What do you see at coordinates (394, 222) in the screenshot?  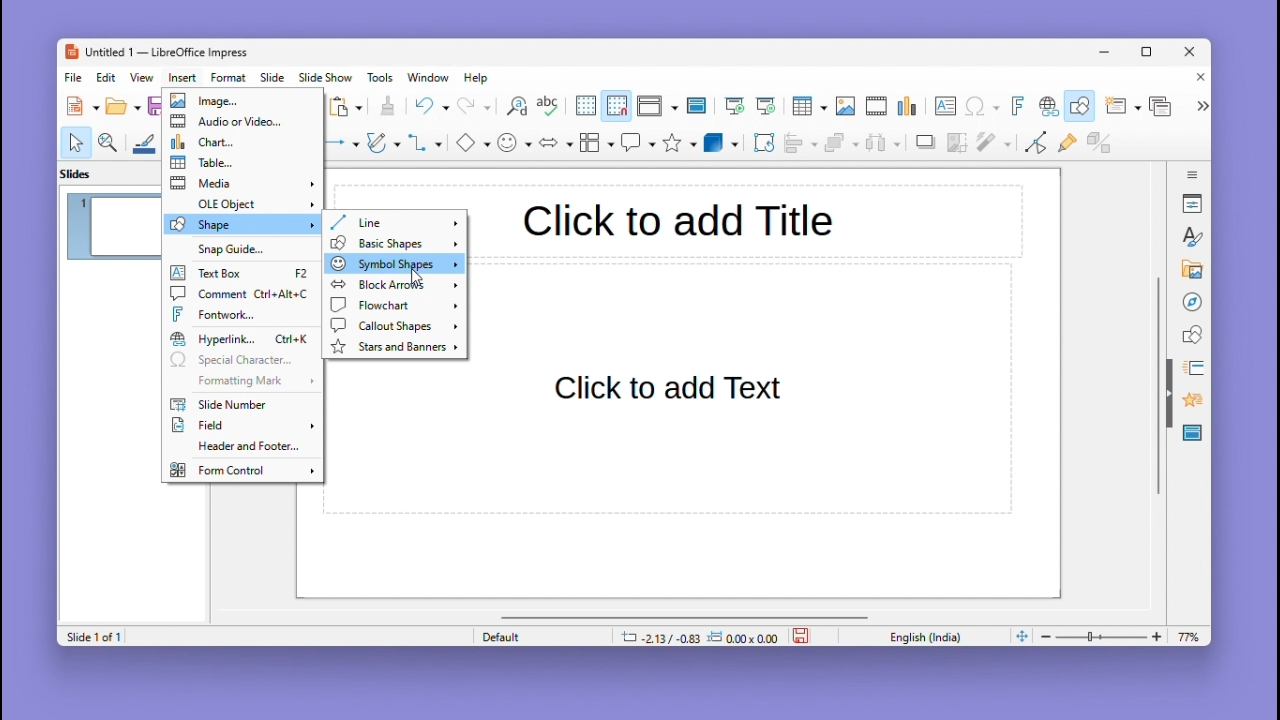 I see `Line` at bounding box center [394, 222].